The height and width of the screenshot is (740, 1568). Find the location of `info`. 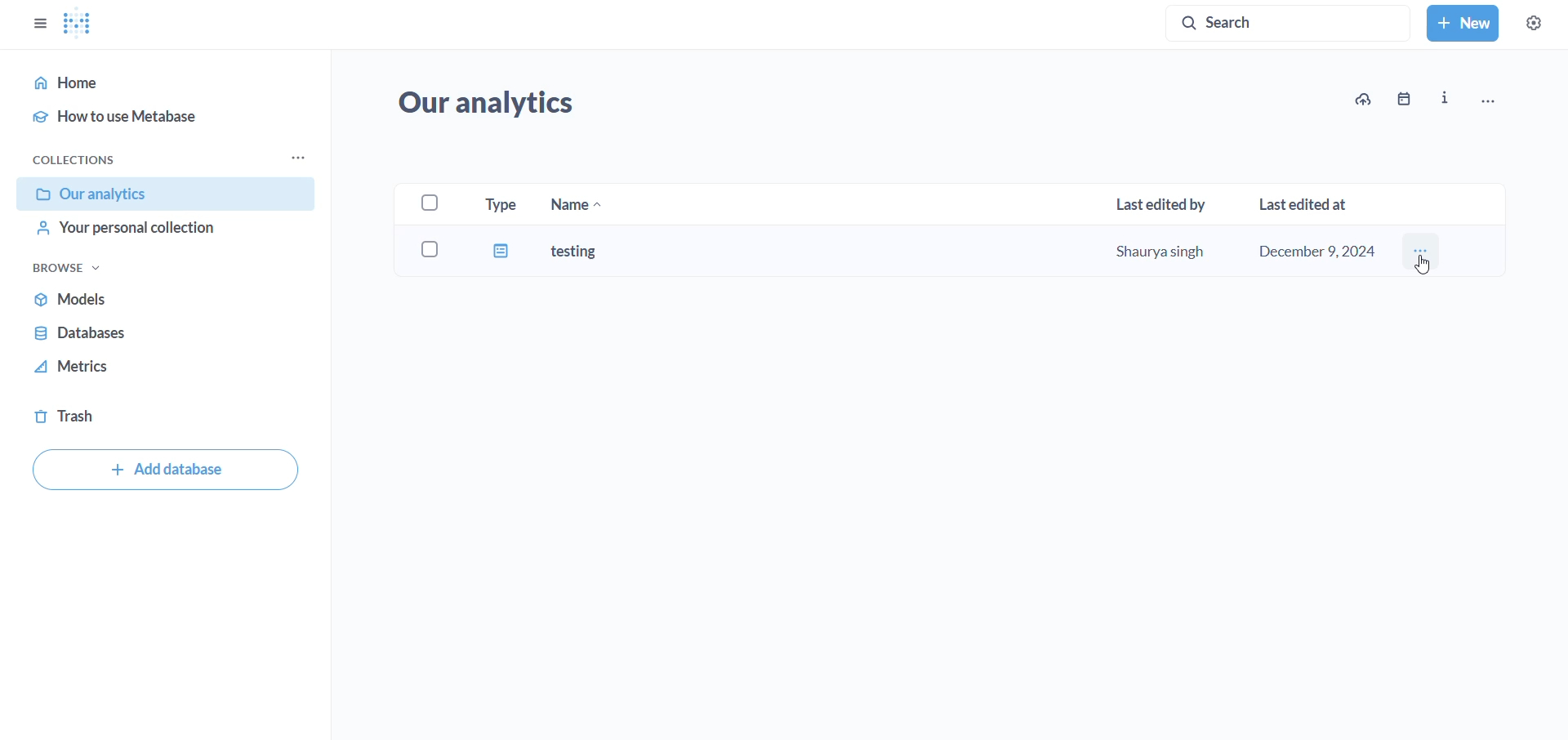

info is located at coordinates (1444, 99).